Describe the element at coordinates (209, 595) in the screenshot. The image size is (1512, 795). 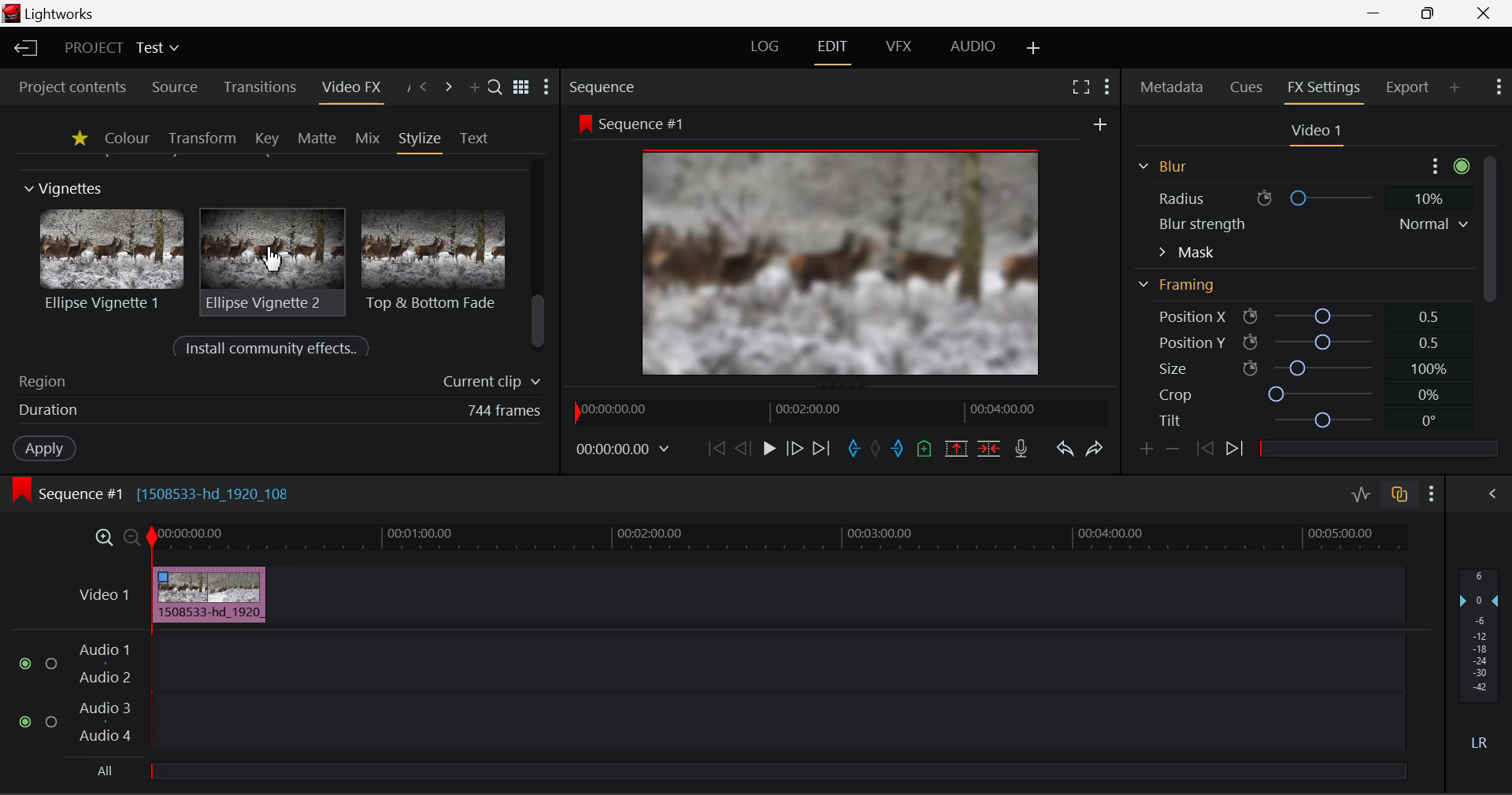
I see `Cursor DRAG_TO Effect on Clip` at that location.